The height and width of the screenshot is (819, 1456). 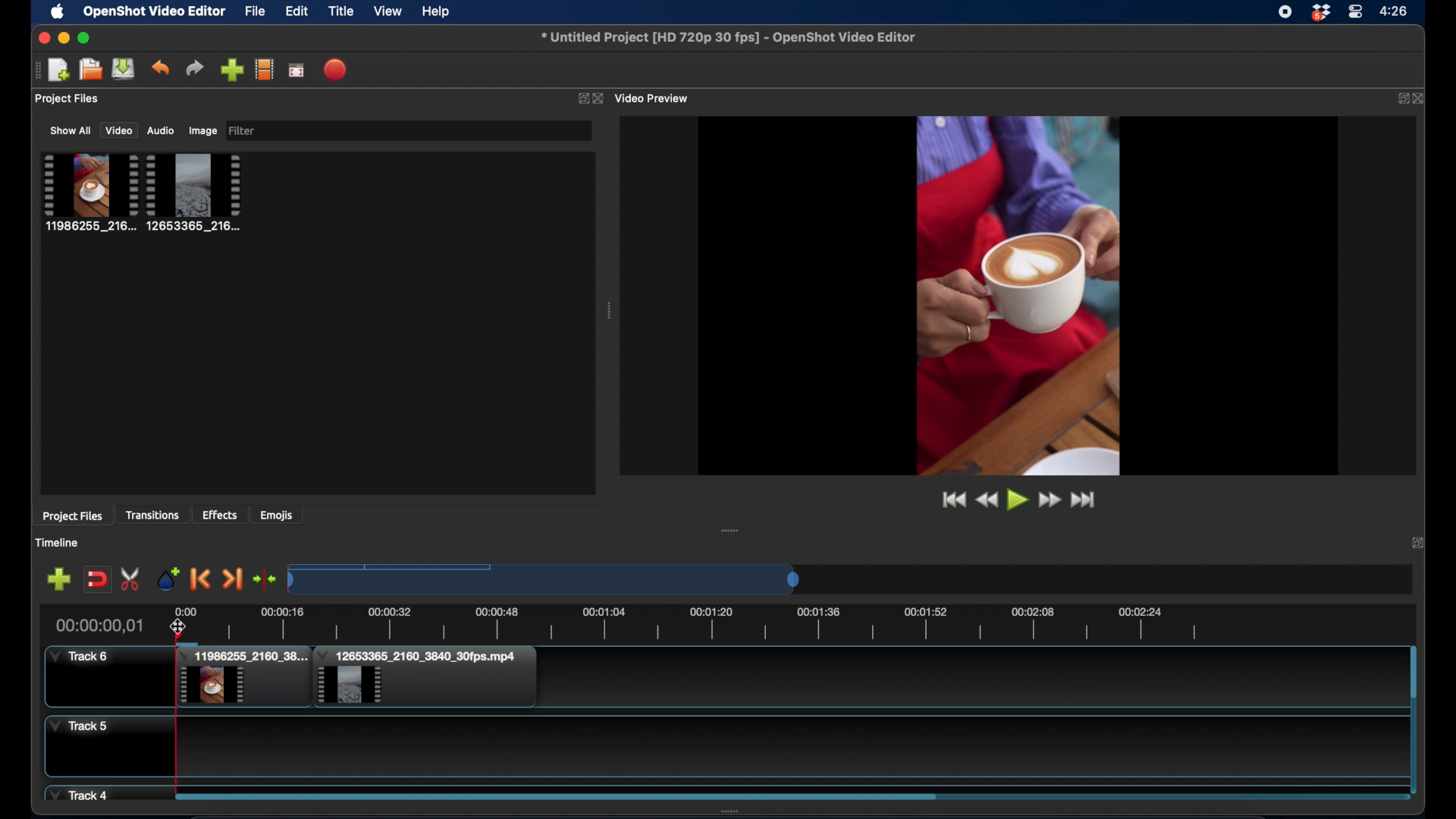 What do you see at coordinates (124, 69) in the screenshot?
I see `save project` at bounding box center [124, 69].